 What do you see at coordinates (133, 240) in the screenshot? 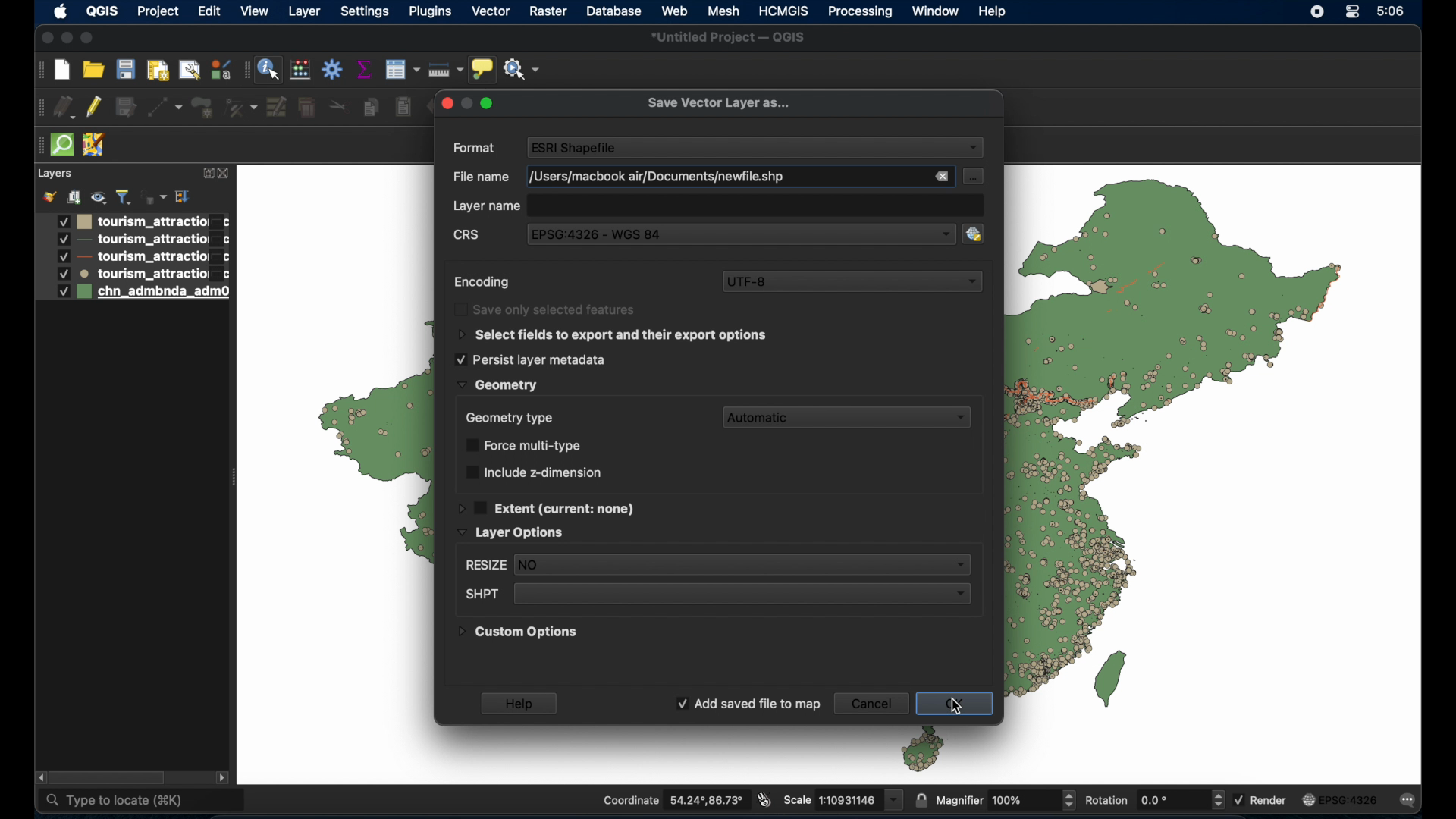
I see `layer 2` at bounding box center [133, 240].